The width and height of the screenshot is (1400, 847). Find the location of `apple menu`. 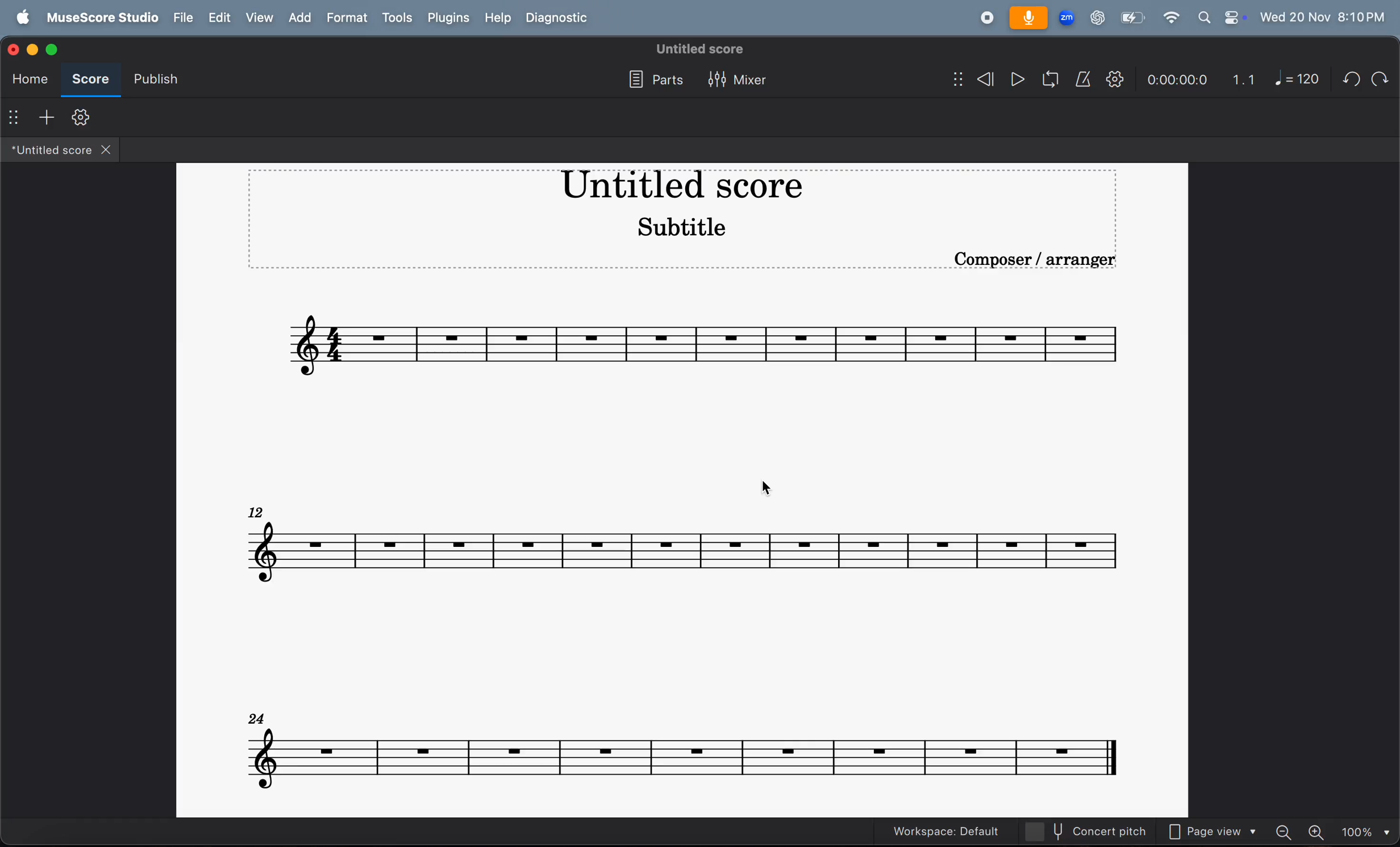

apple menu is located at coordinates (23, 17).